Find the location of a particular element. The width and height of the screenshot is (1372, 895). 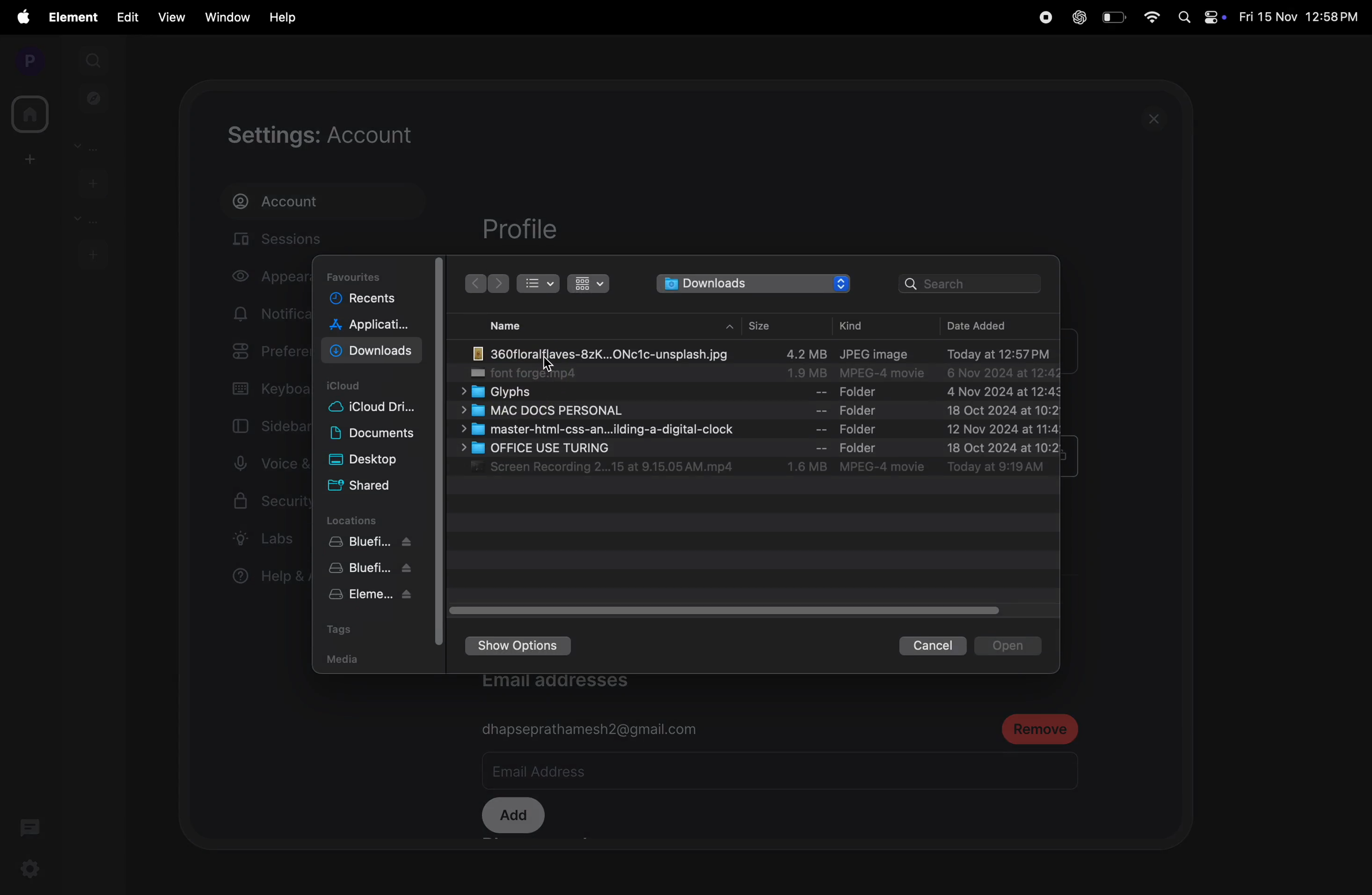

master .css is located at coordinates (755, 431).